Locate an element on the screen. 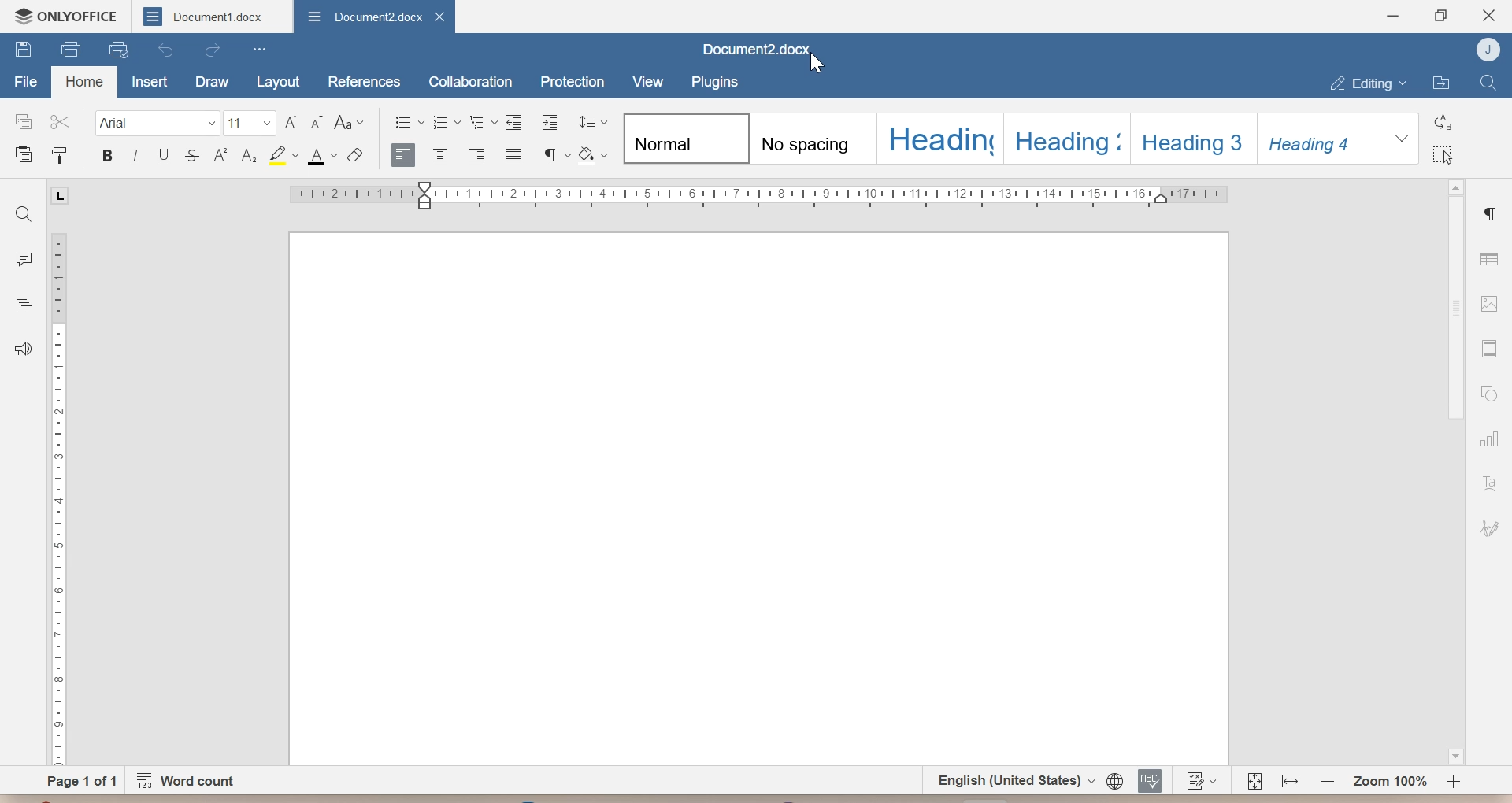  Increment font size is located at coordinates (291, 123).